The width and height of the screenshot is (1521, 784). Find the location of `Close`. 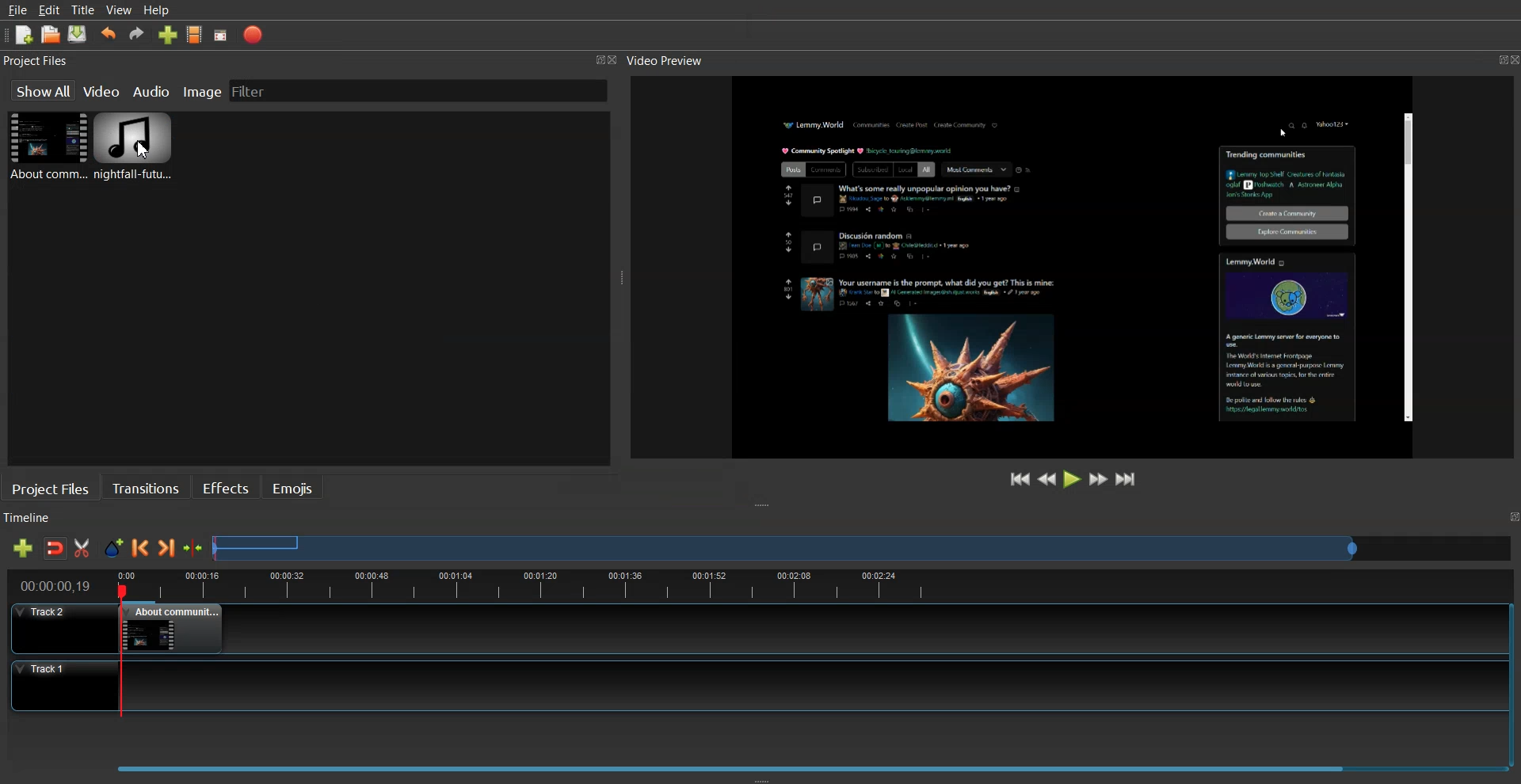

Close is located at coordinates (617, 61).